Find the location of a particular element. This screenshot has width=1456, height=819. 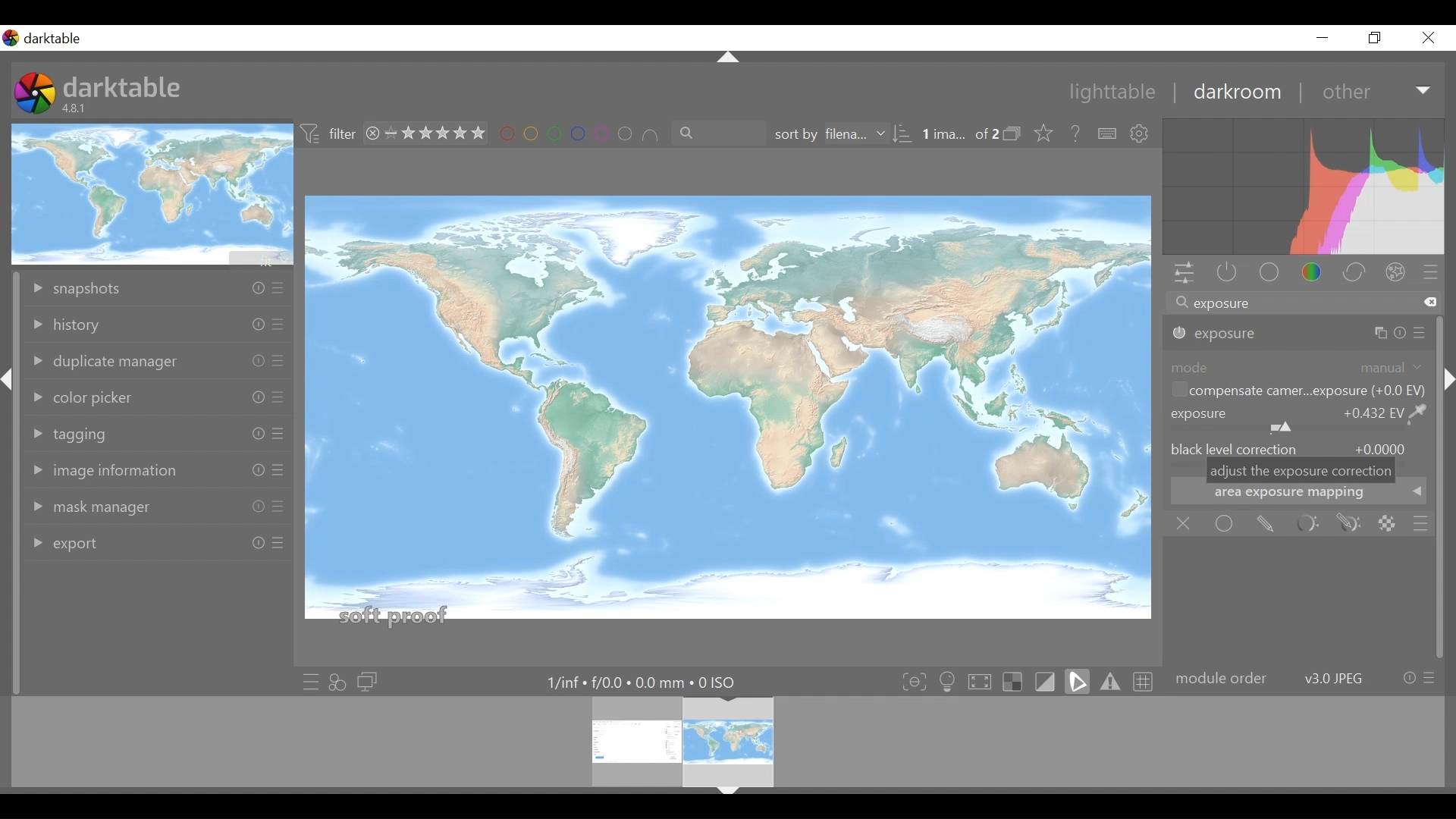

darkroom is located at coordinates (1236, 92).